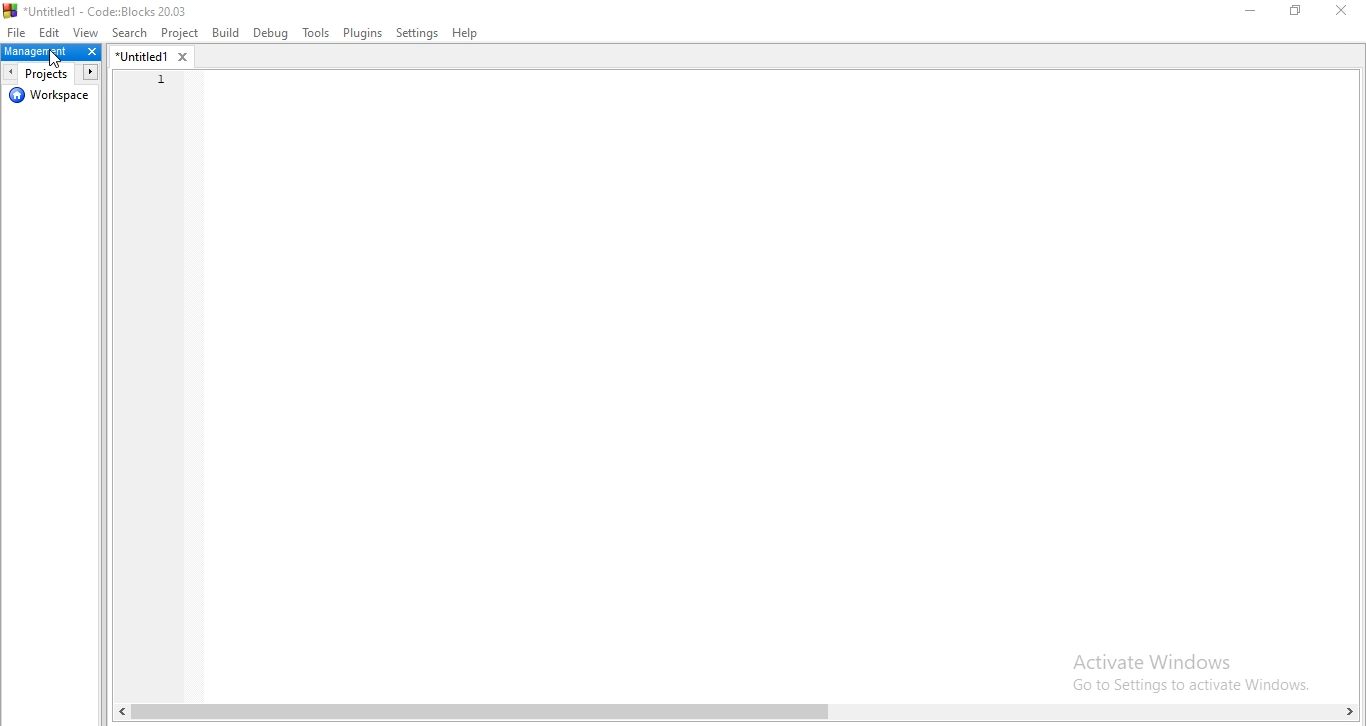 The width and height of the screenshot is (1366, 726). Describe the element at coordinates (159, 57) in the screenshot. I see `untitled1` at that location.